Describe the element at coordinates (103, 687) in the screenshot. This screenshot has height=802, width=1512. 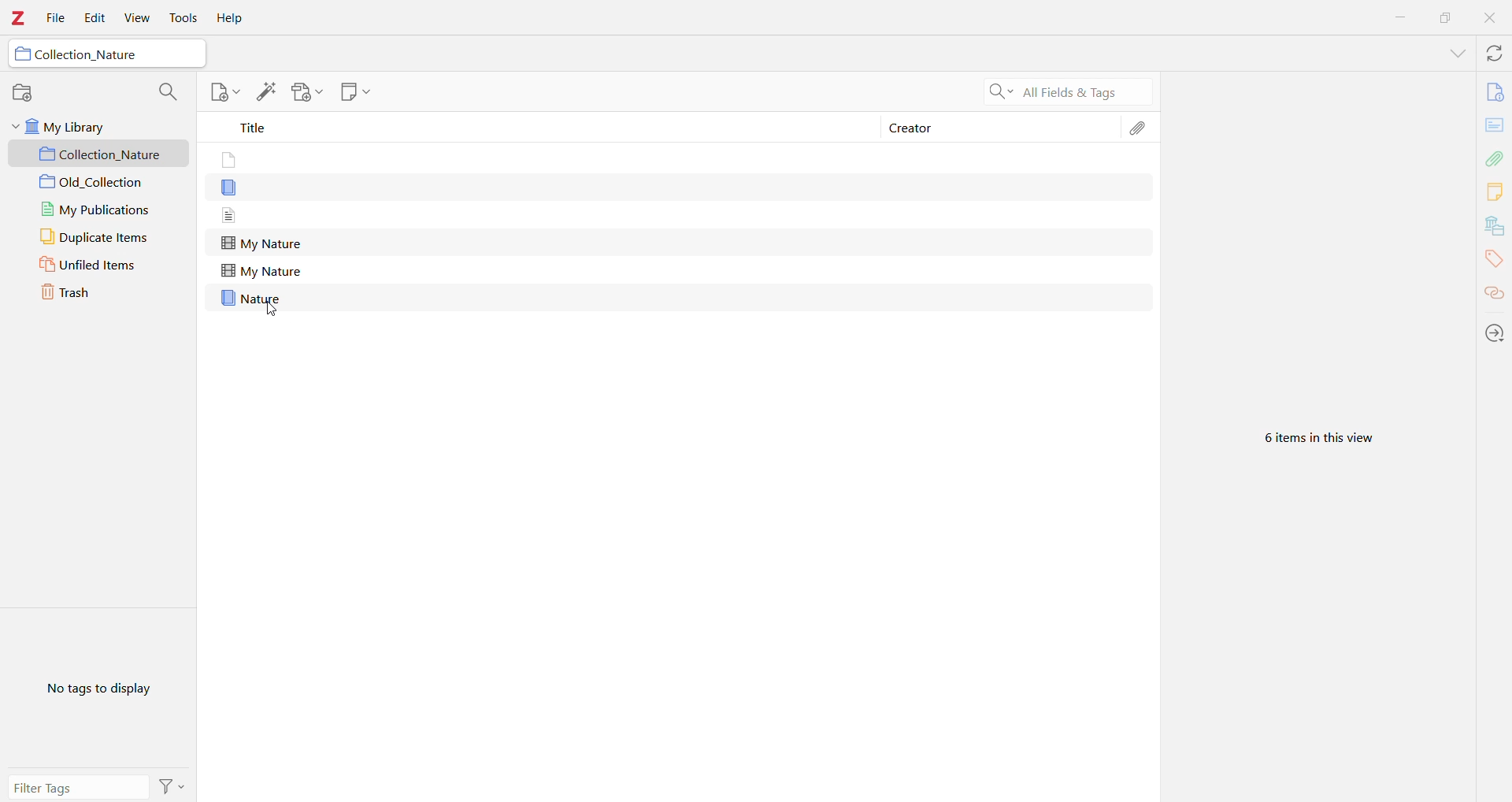
I see `No tags to display` at that location.